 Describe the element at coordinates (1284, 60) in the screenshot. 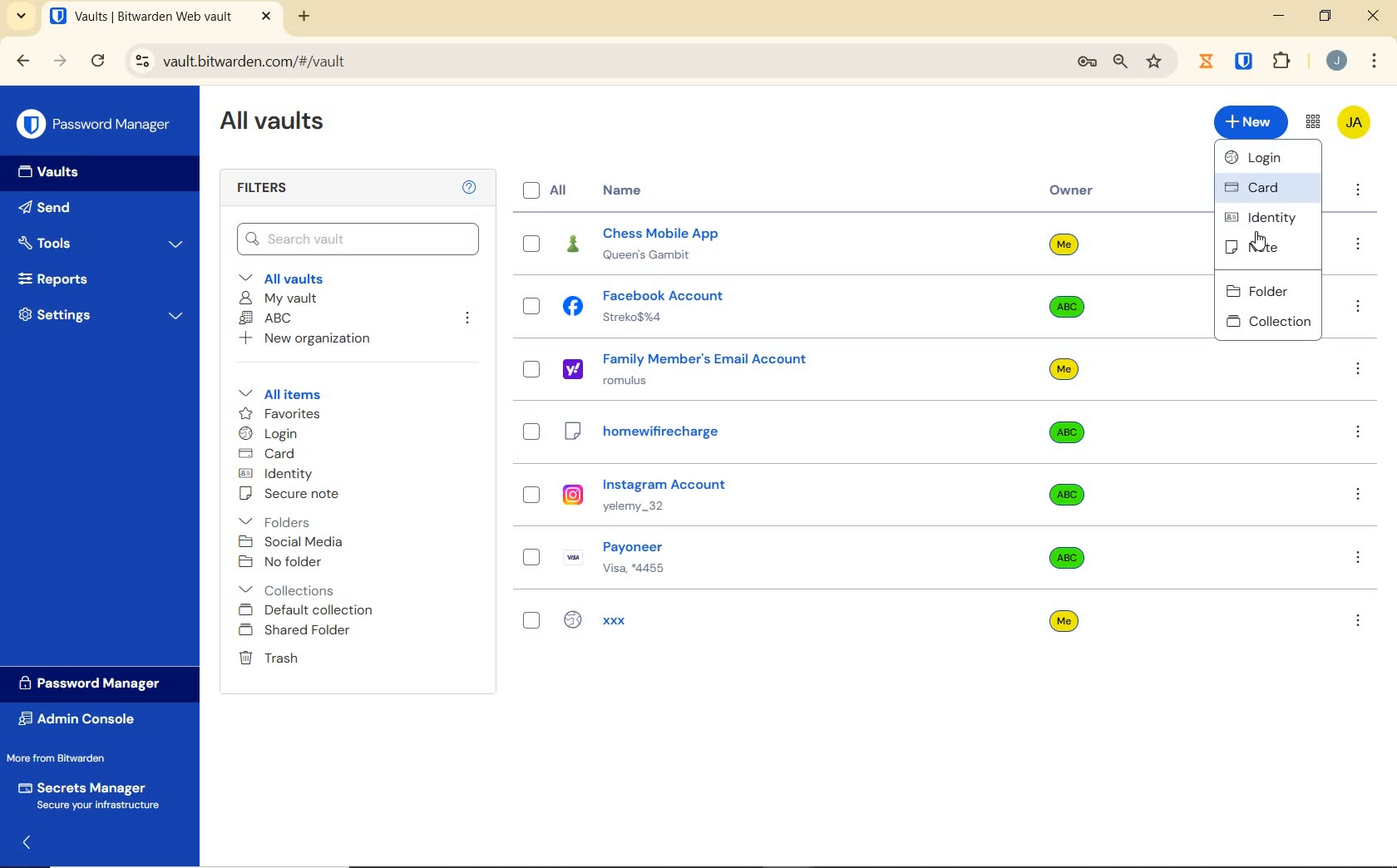

I see `extensions` at that location.